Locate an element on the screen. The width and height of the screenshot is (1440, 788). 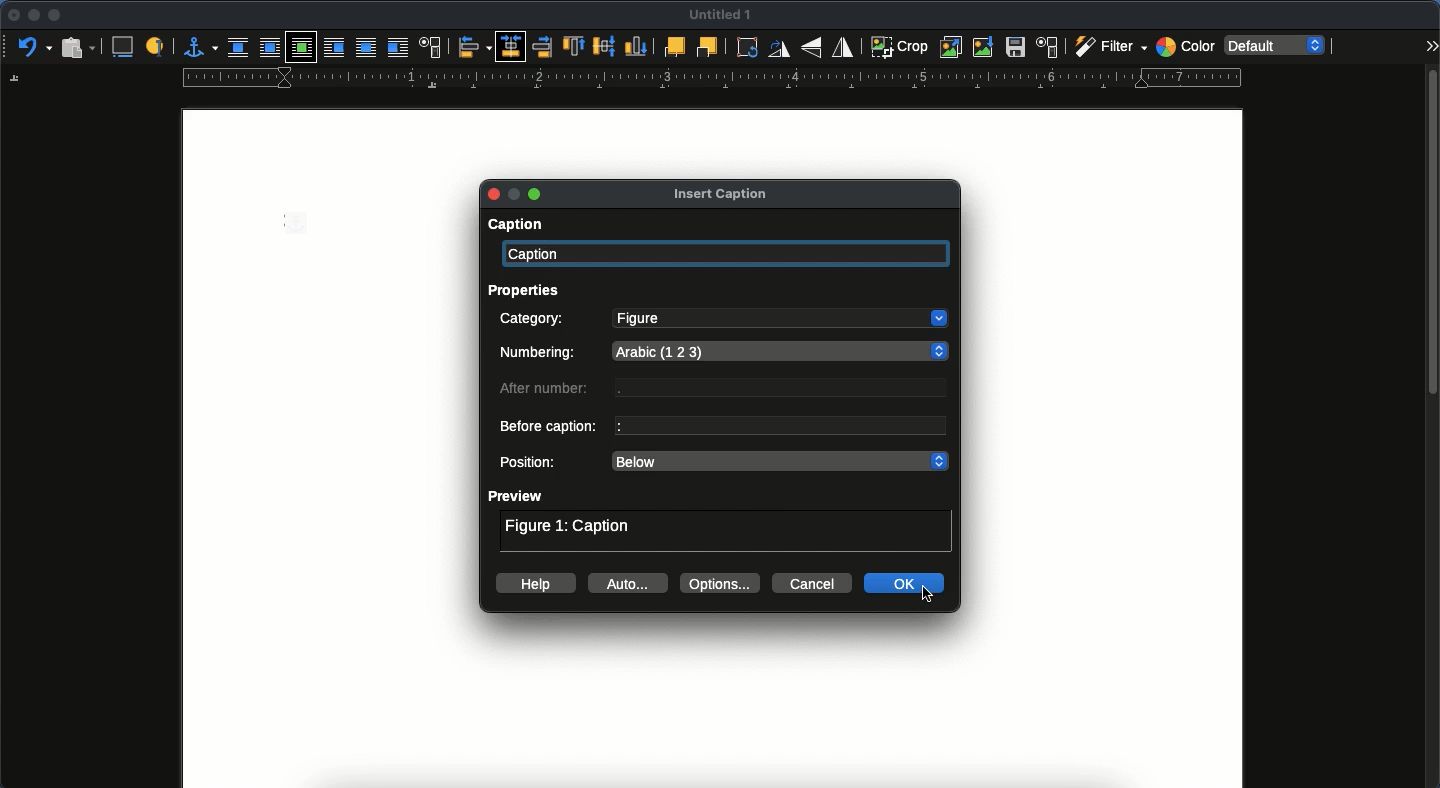
rotate 90 right is located at coordinates (781, 49).